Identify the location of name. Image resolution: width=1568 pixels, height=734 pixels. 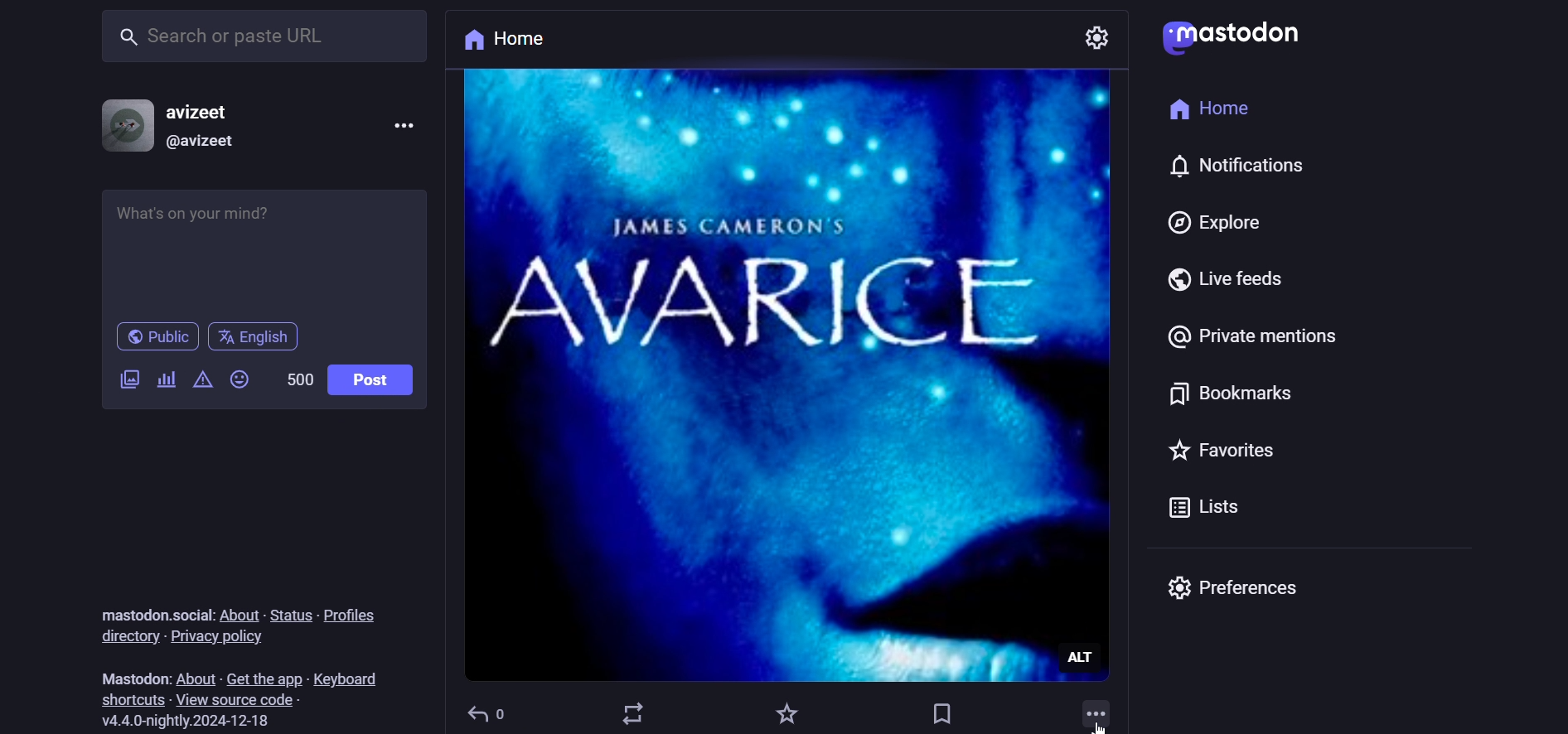
(217, 111).